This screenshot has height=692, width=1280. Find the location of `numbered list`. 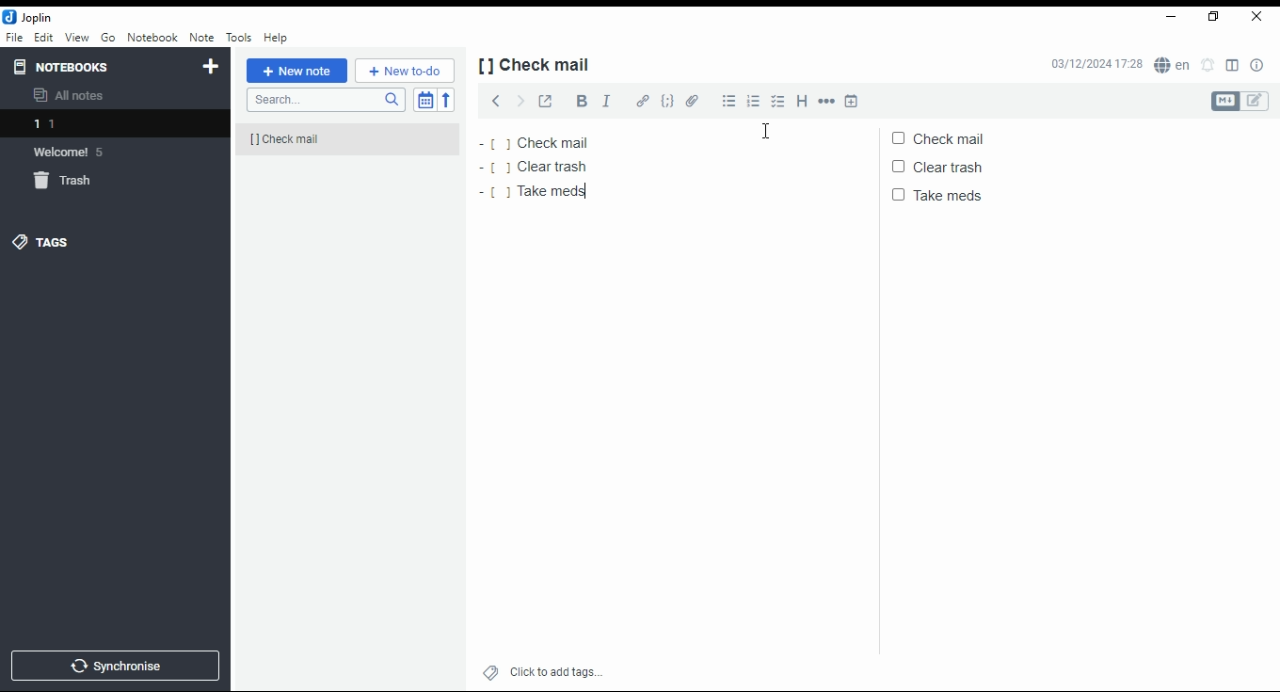

numbered list is located at coordinates (752, 102).